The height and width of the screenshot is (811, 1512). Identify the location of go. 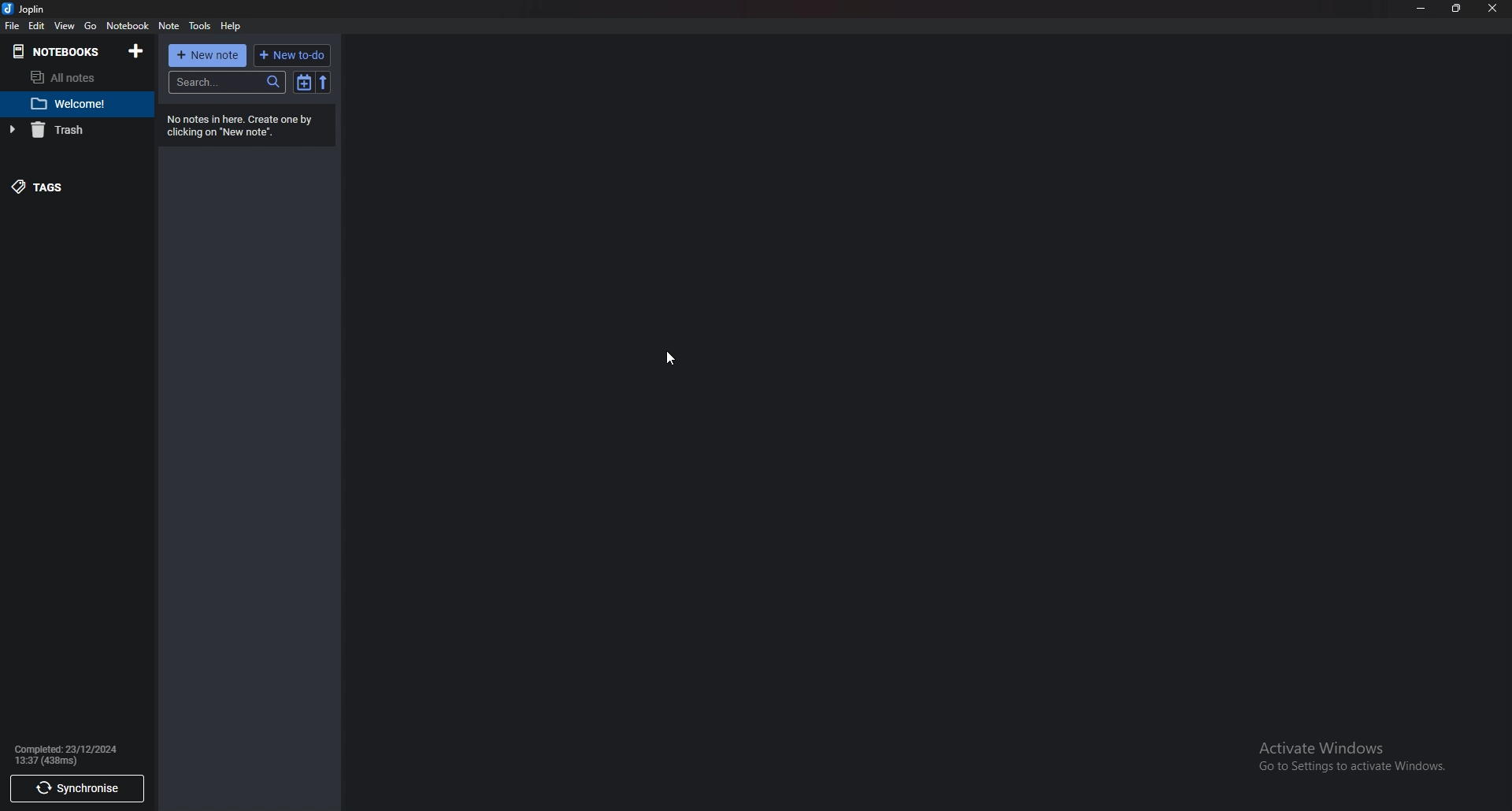
(91, 27).